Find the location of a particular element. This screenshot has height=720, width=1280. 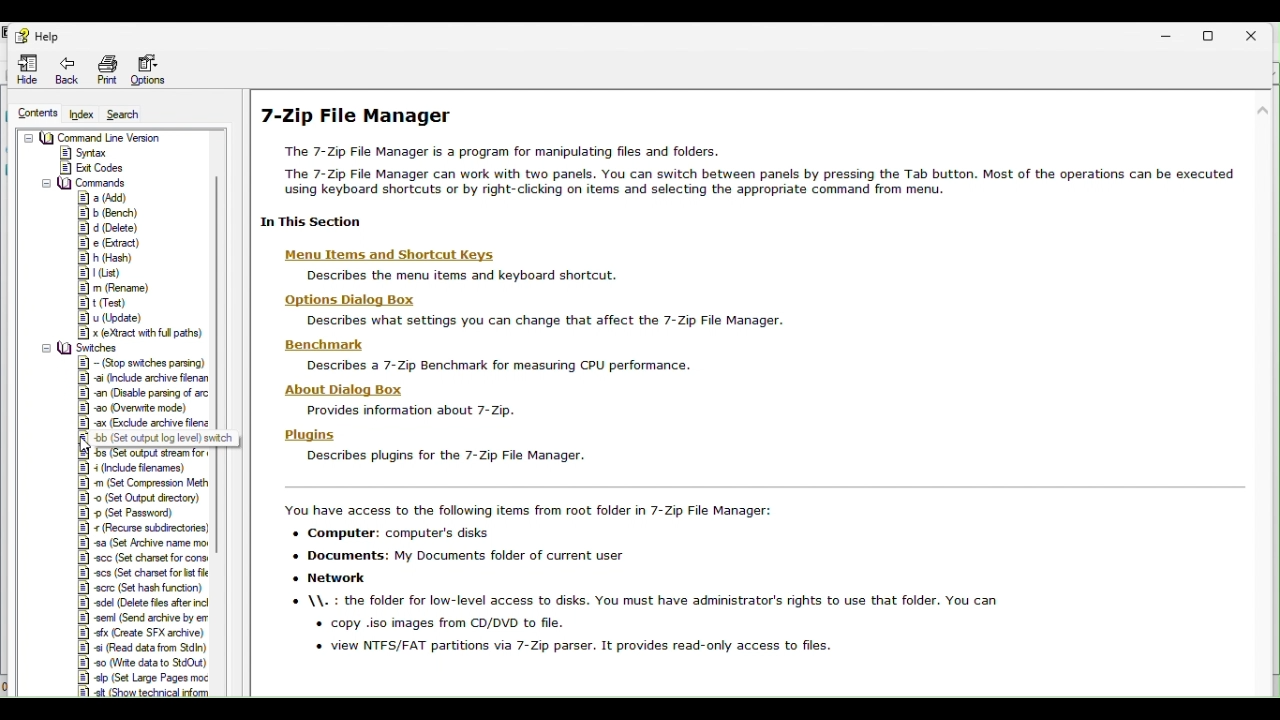

#] an (Disable parsing of arc is located at coordinates (145, 394).